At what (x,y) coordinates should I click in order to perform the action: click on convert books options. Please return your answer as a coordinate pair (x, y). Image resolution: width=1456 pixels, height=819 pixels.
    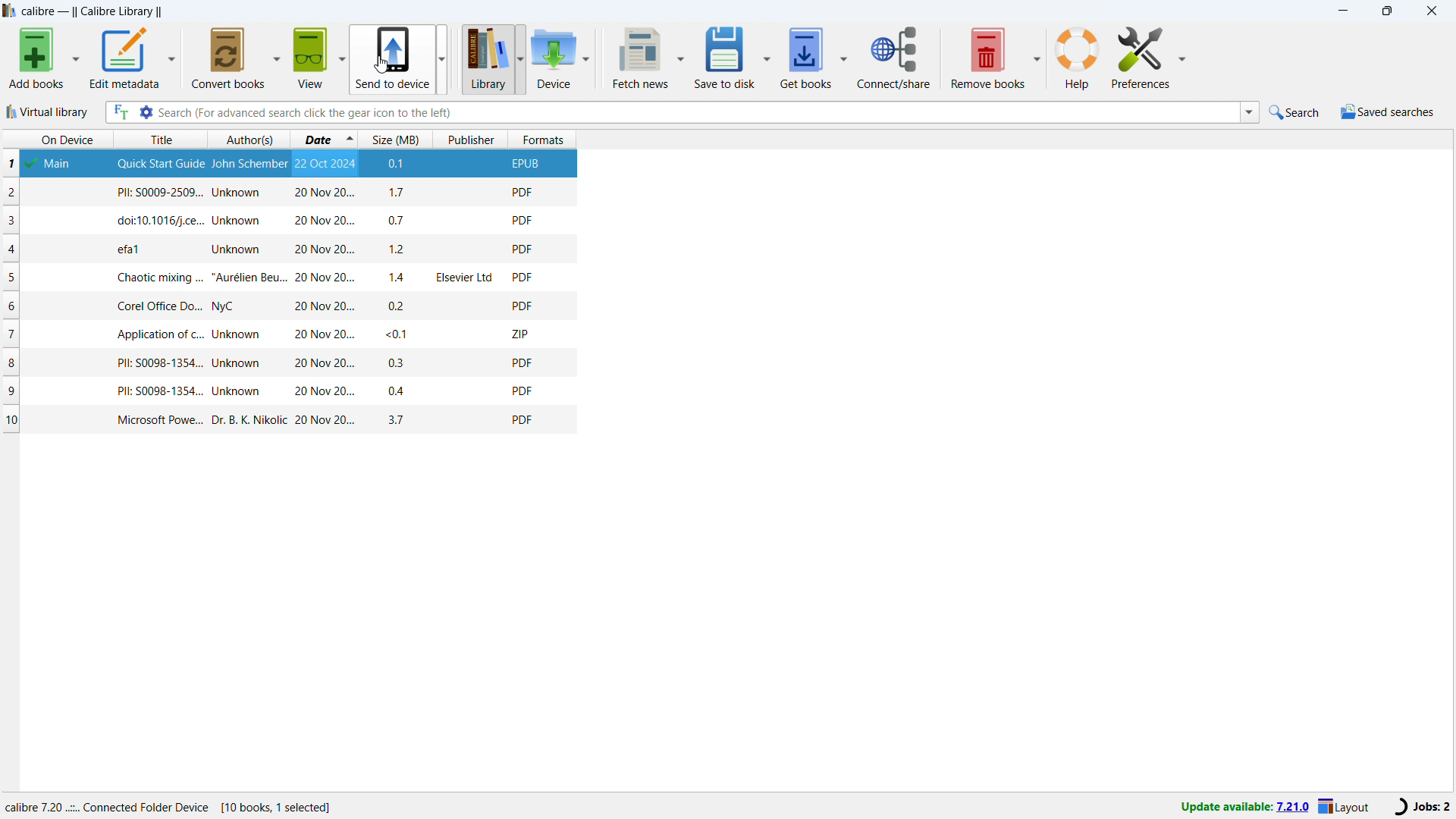
    Looking at the image, I should click on (276, 56).